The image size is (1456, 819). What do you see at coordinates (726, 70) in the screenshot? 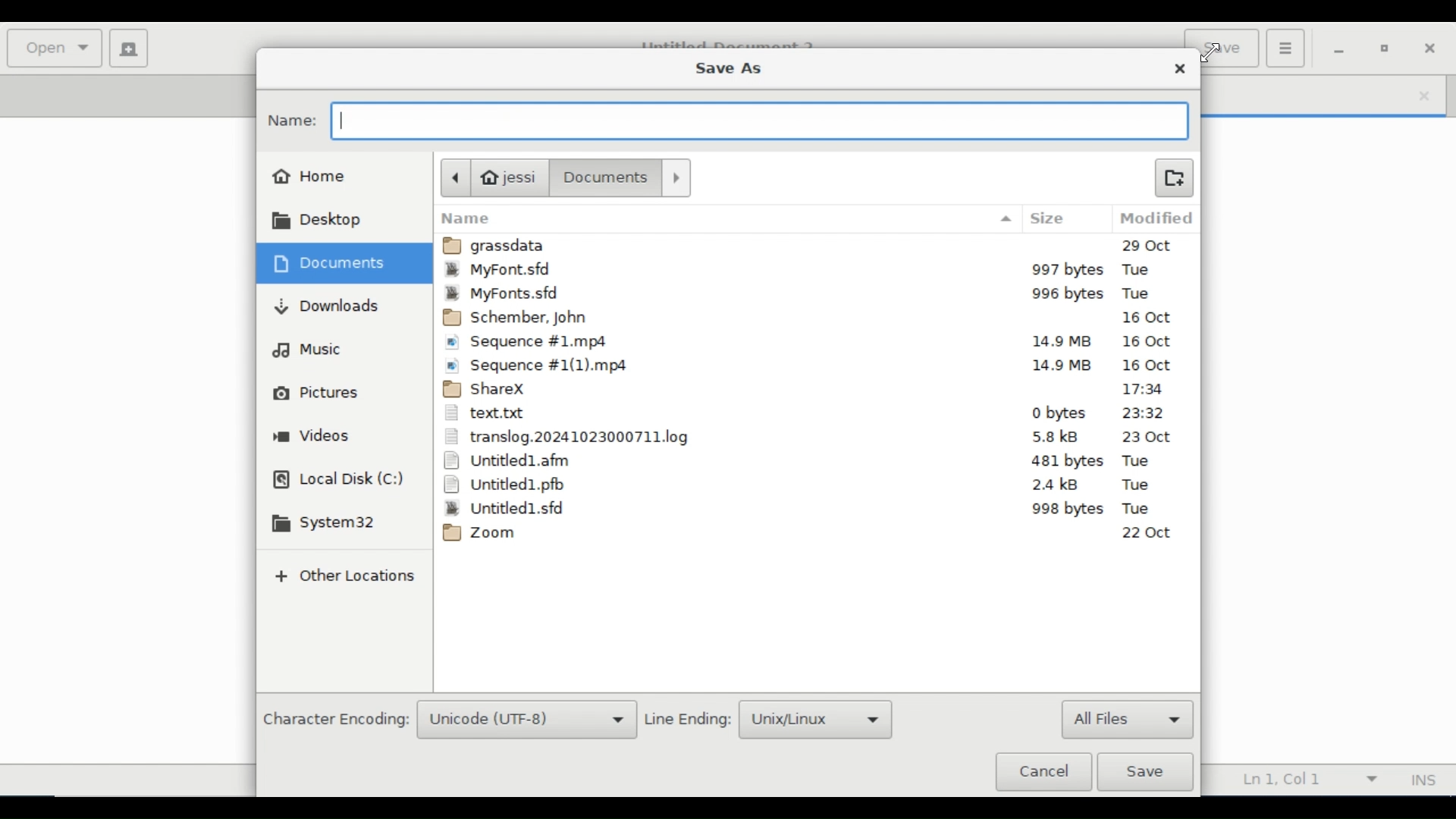
I see `Save As` at bounding box center [726, 70].